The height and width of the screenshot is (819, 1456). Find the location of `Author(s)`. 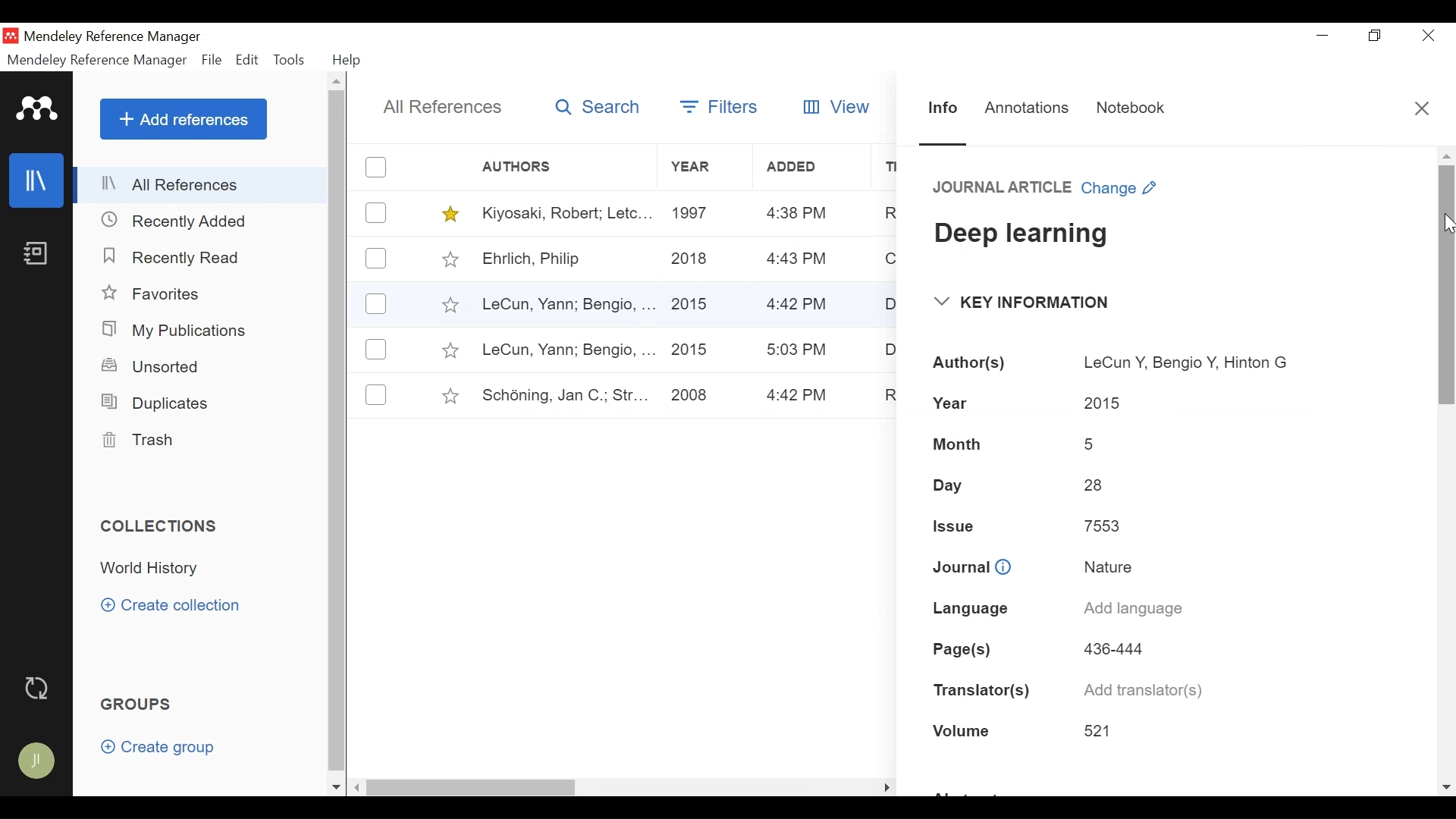

Author(s) is located at coordinates (971, 363).